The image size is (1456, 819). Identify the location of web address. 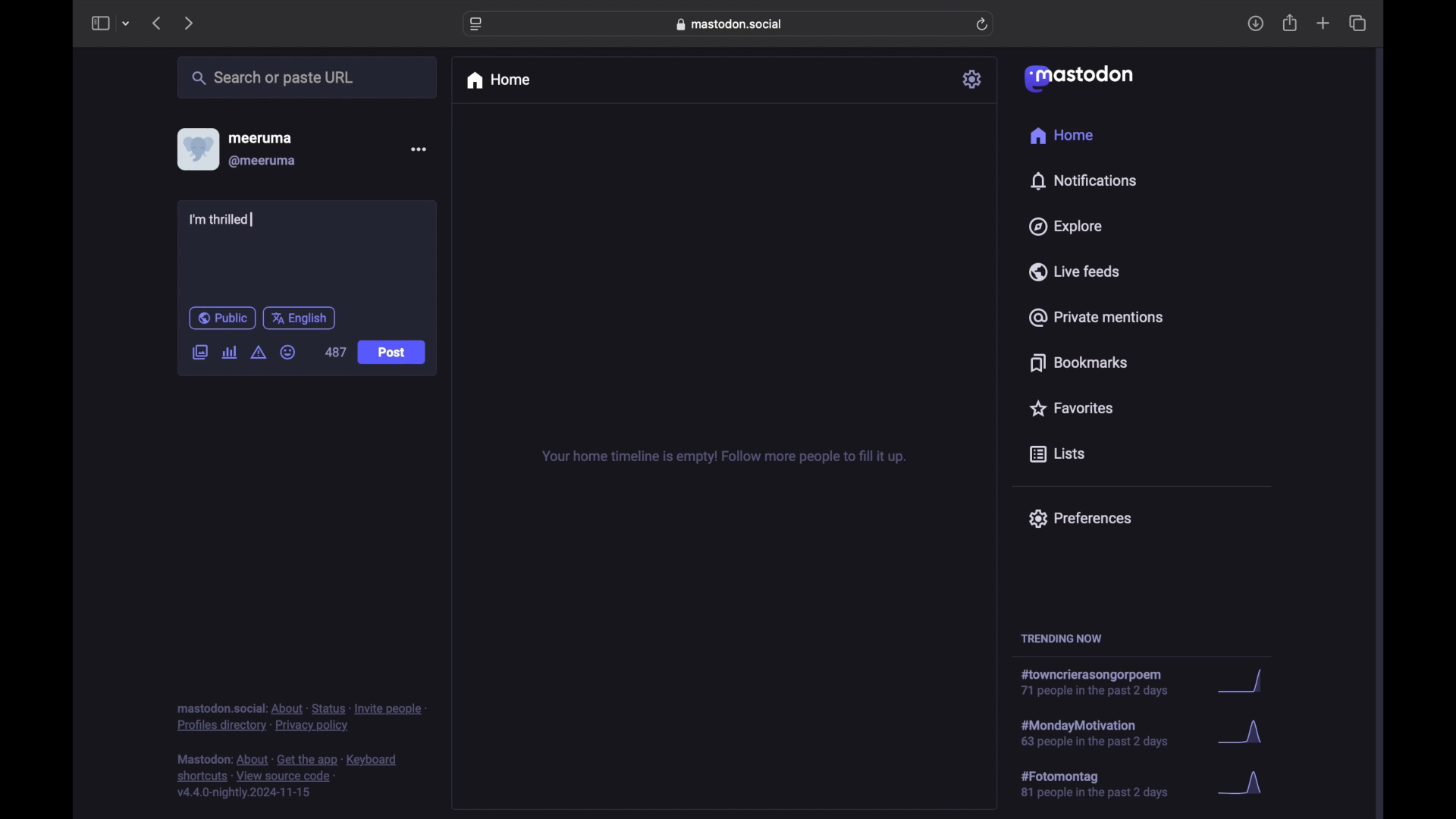
(730, 24).